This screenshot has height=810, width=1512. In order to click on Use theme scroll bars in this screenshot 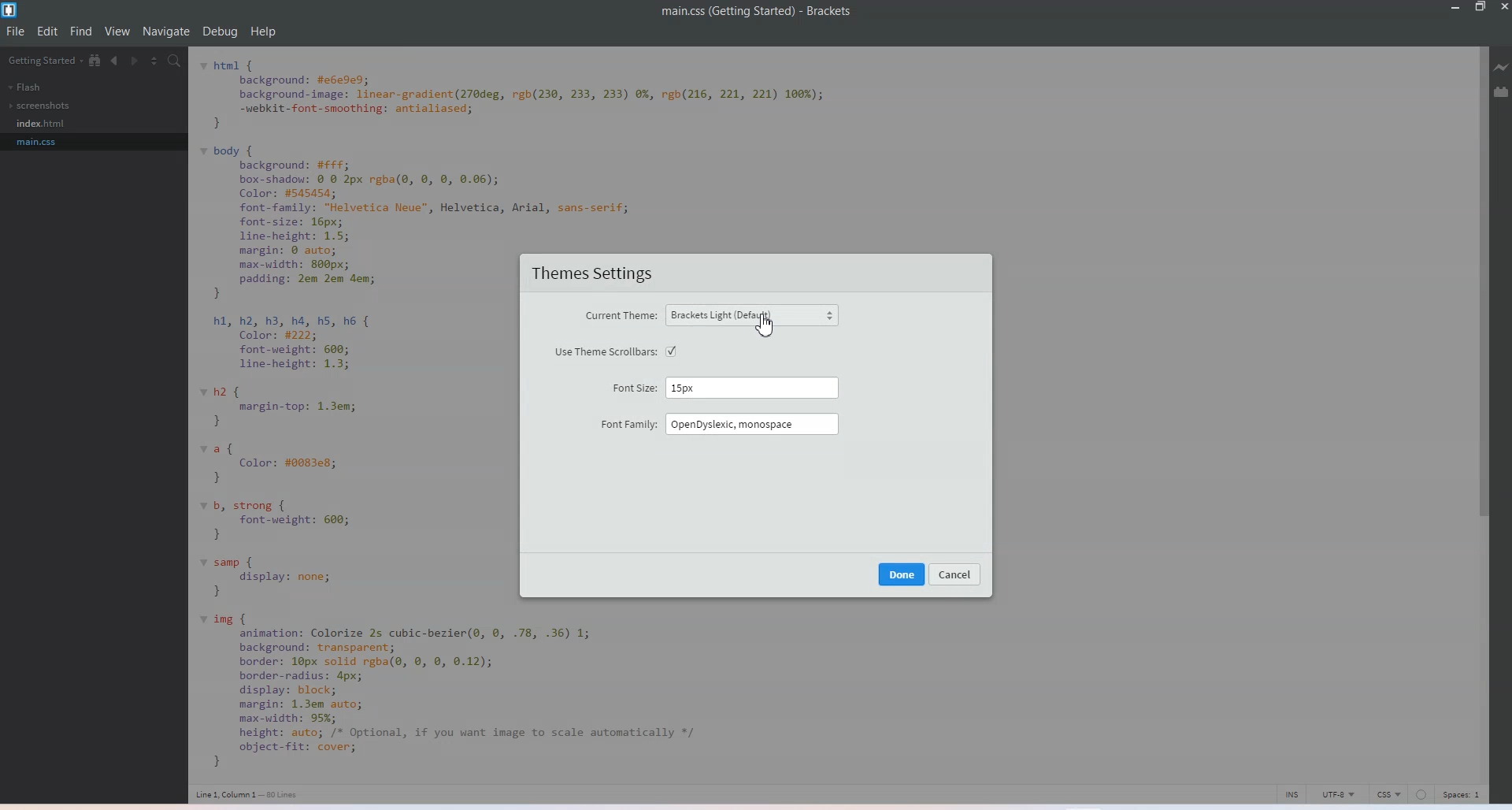, I will do `click(616, 351)`.